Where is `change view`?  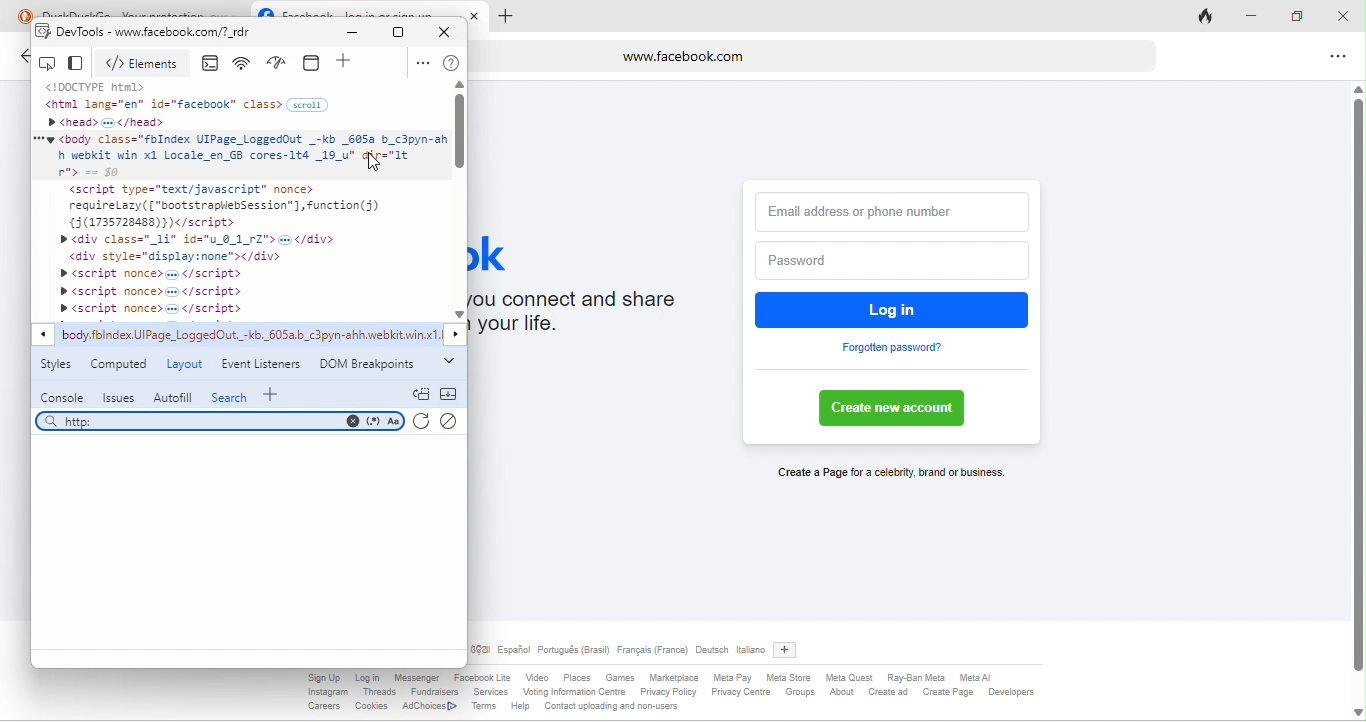 change view is located at coordinates (79, 64).